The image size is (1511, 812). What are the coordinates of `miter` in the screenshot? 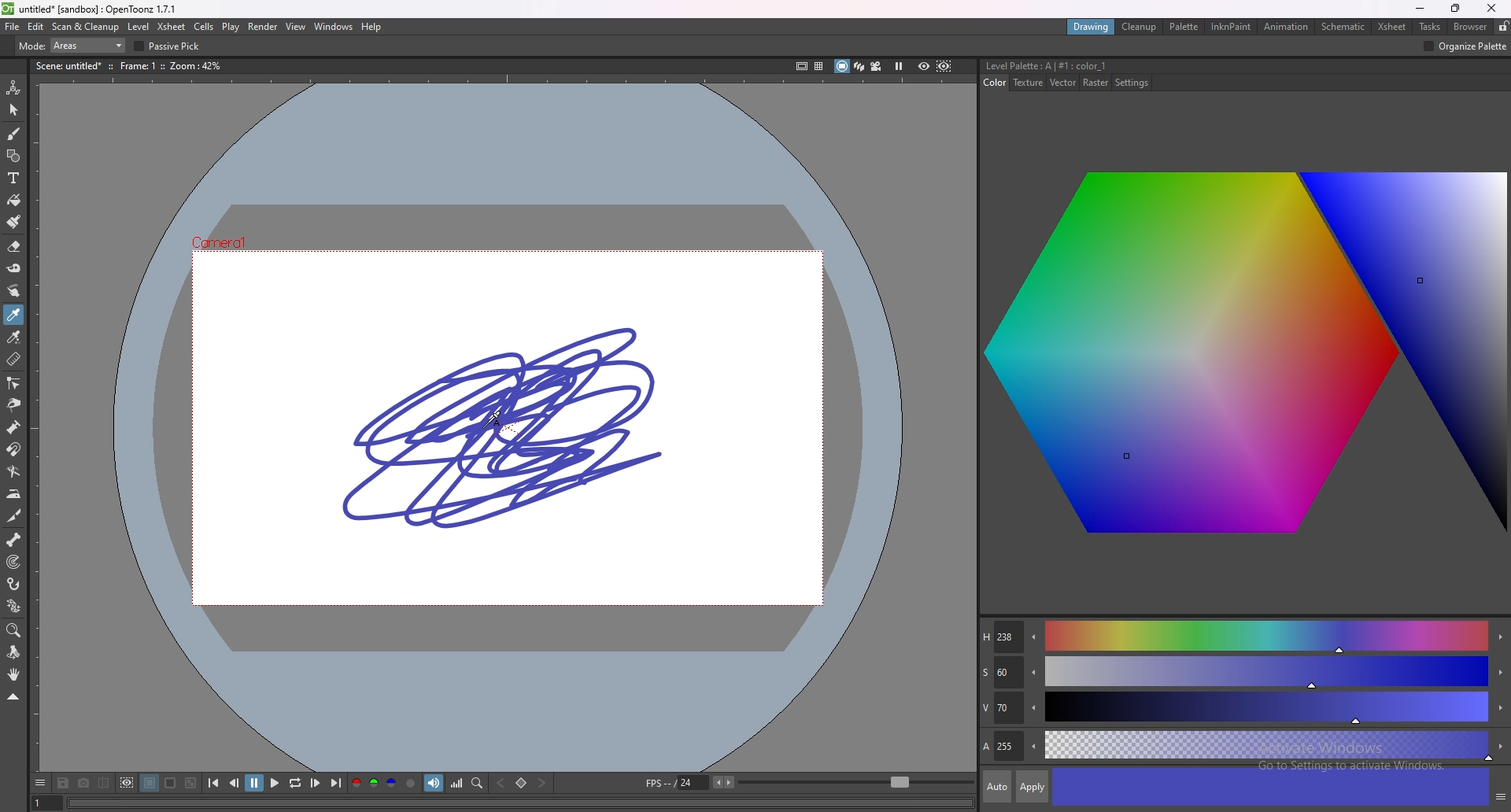 It's located at (1284, 45).